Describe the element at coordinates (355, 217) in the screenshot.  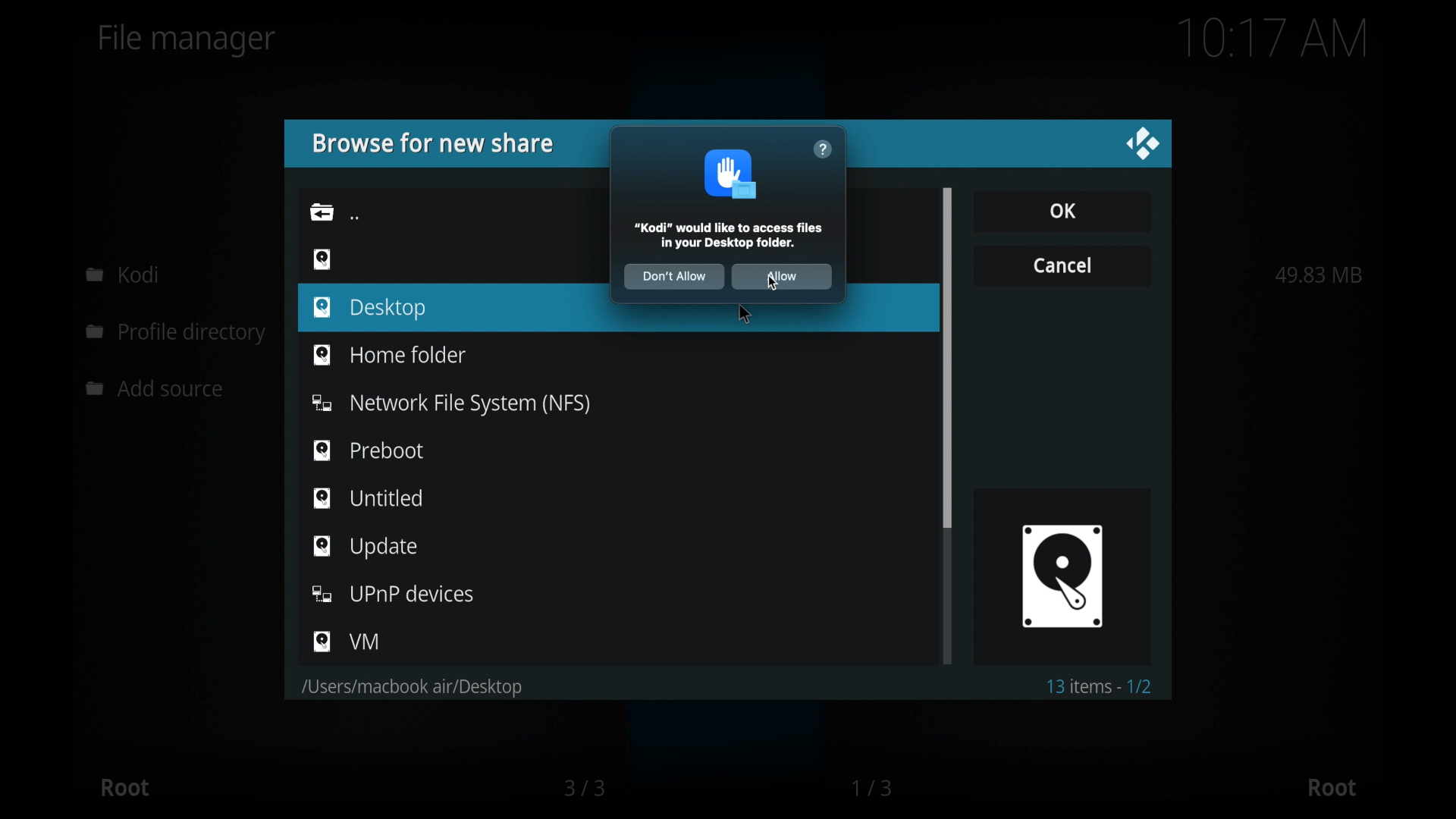
I see `dots icon` at that location.